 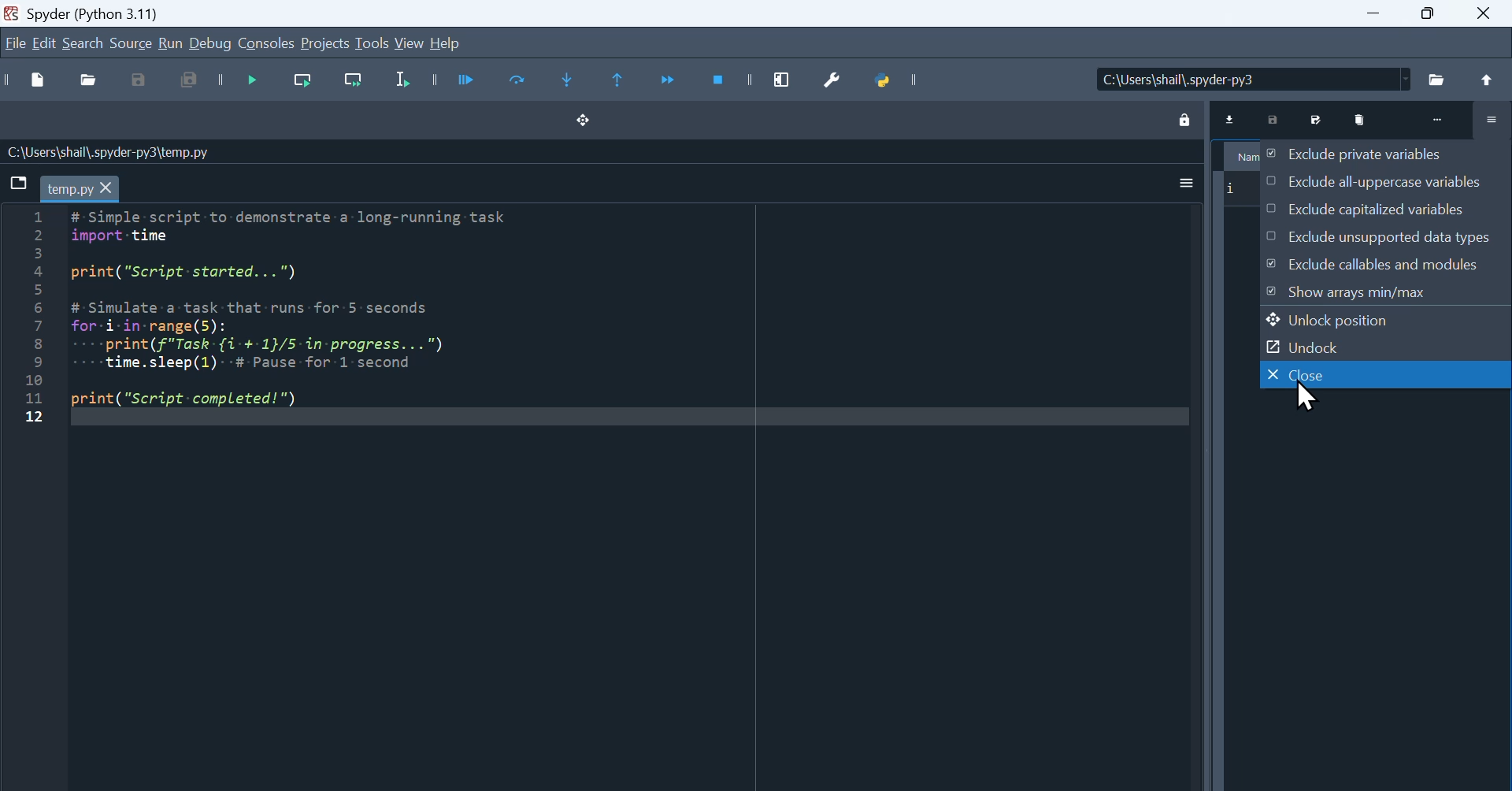 I want to click on Search, so click(x=83, y=42).